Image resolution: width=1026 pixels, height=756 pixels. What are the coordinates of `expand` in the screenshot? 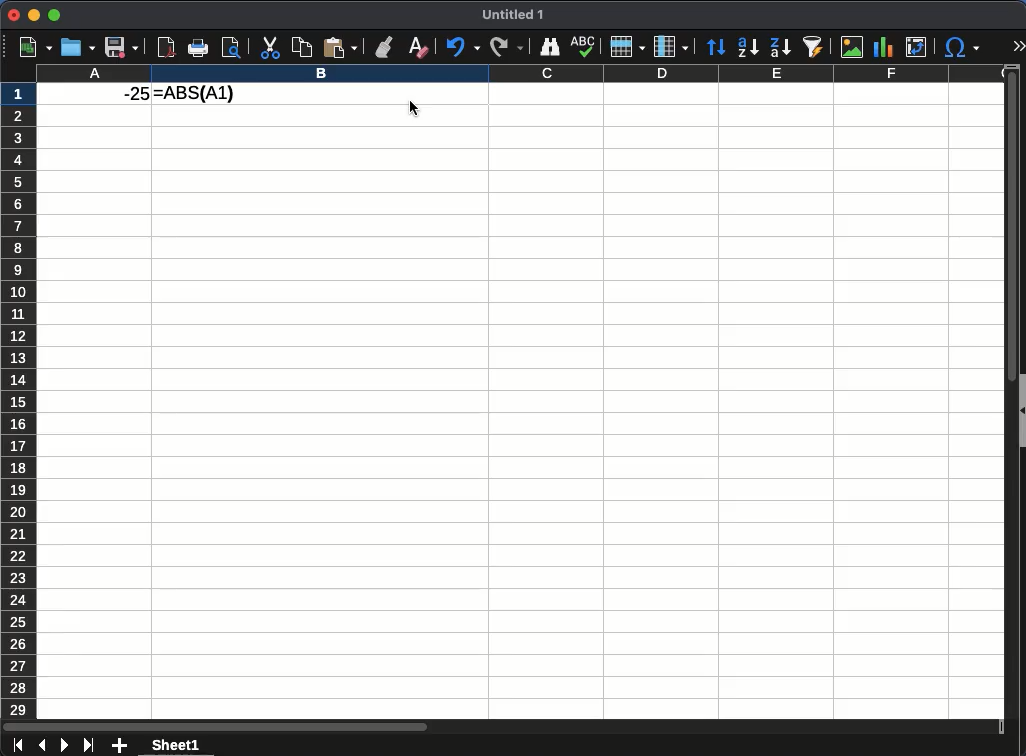 It's located at (1018, 45).